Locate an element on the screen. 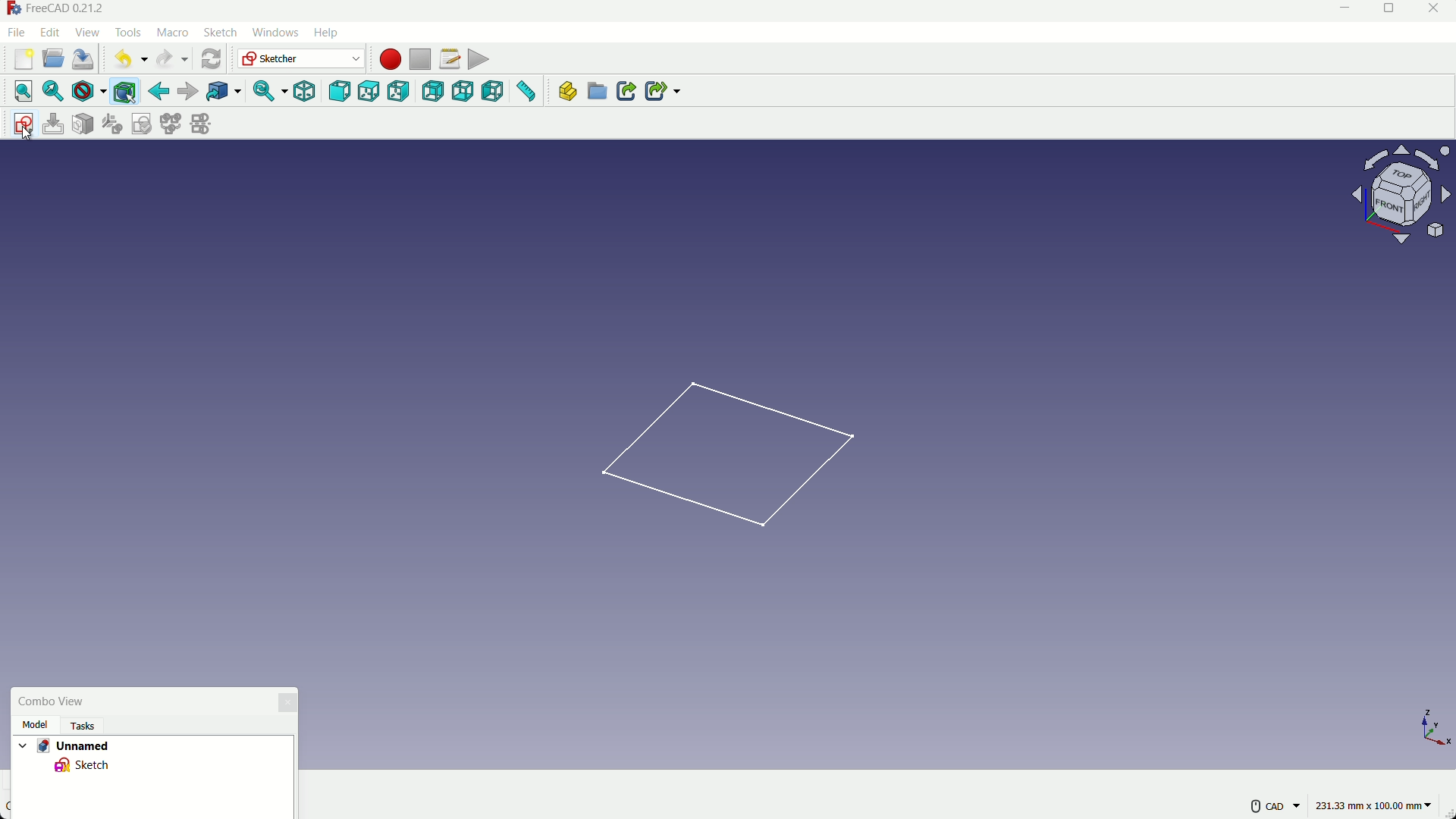  forward is located at coordinates (187, 92).